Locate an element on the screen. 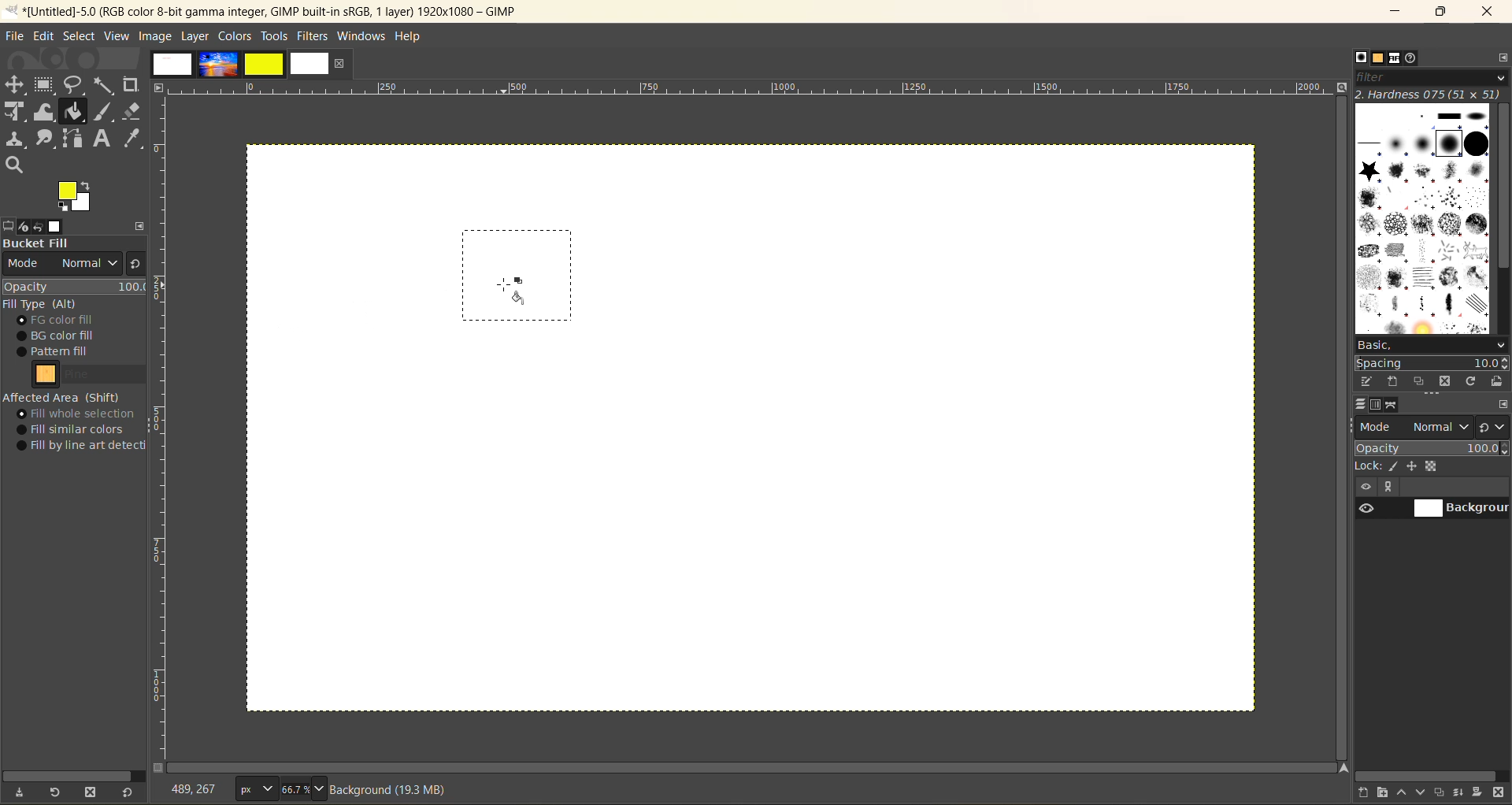  colors is located at coordinates (237, 37).